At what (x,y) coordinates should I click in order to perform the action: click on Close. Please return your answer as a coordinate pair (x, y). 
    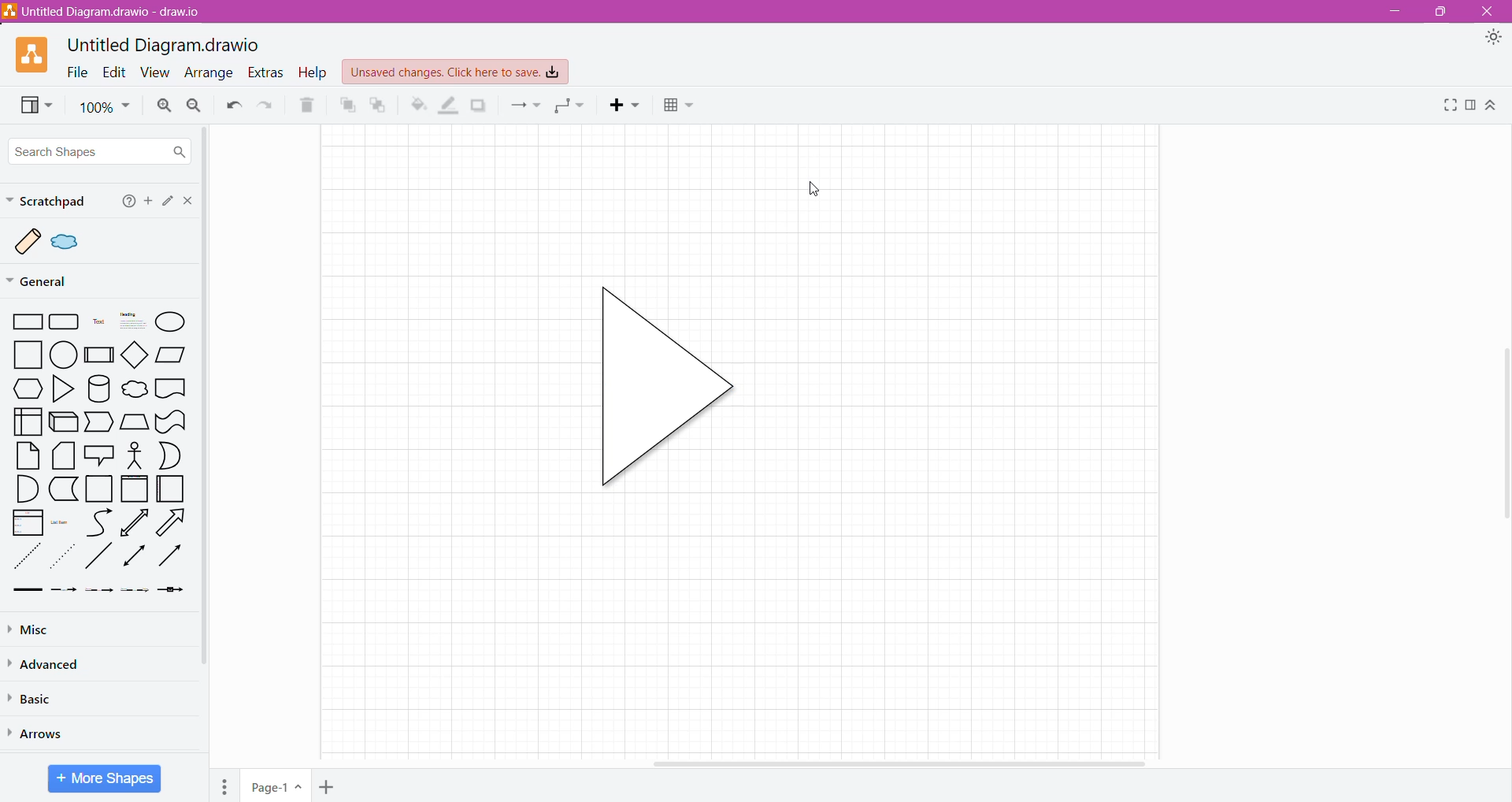
    Looking at the image, I should click on (1488, 11).